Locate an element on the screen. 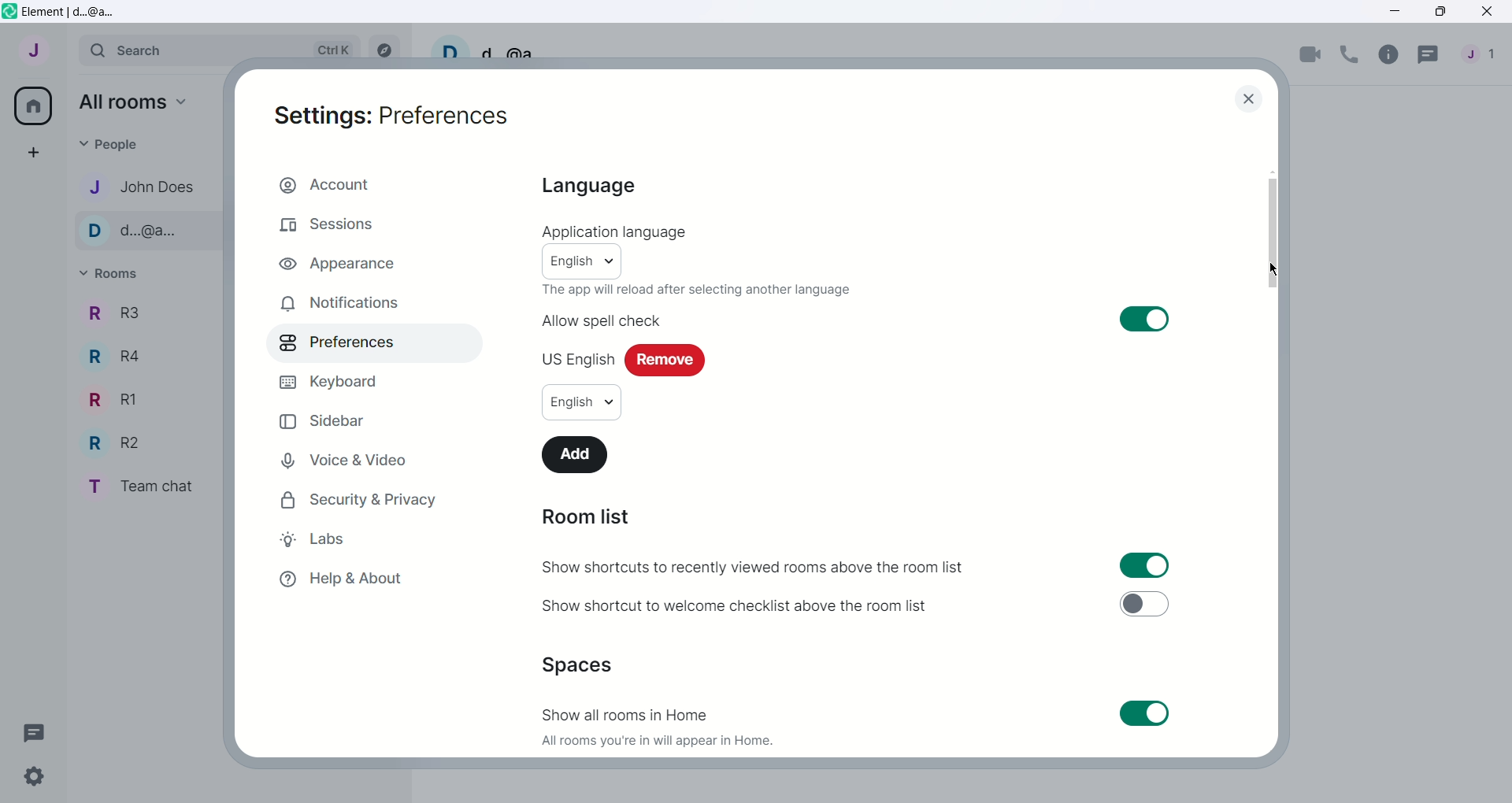 The height and width of the screenshot is (803, 1512). All rooms is located at coordinates (31, 106).